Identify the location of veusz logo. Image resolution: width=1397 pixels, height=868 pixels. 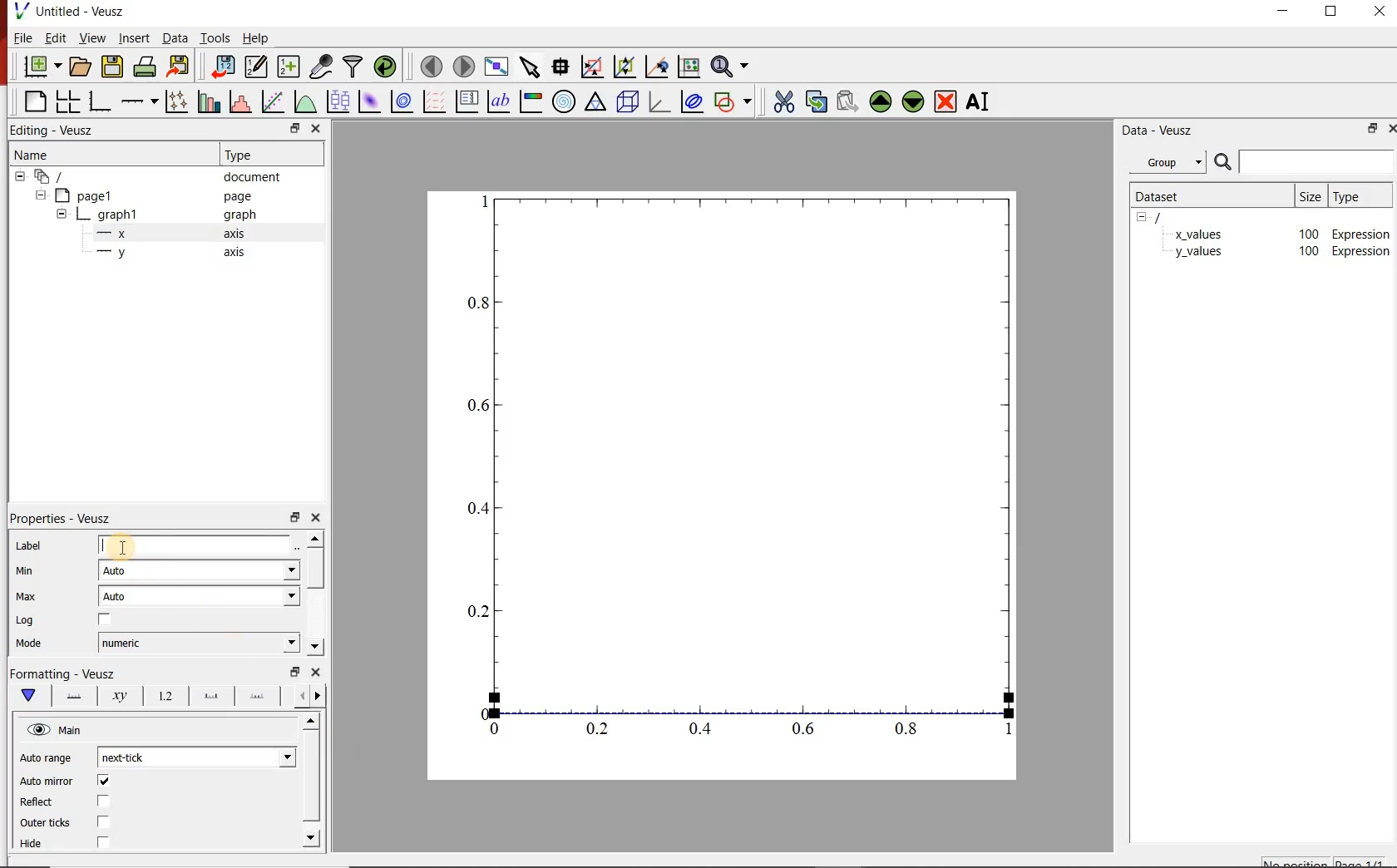
(16, 11).